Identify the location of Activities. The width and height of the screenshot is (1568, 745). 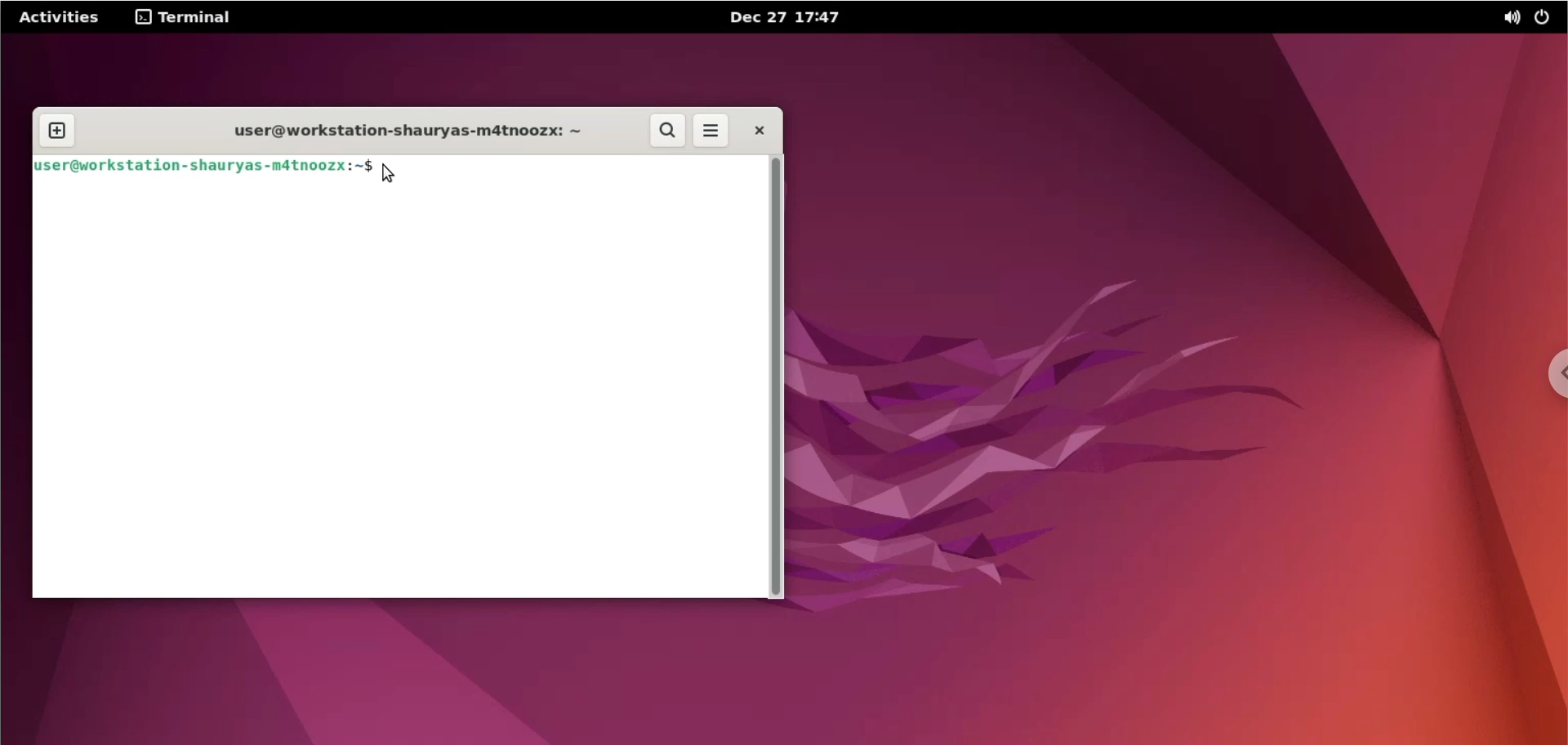
(58, 16).